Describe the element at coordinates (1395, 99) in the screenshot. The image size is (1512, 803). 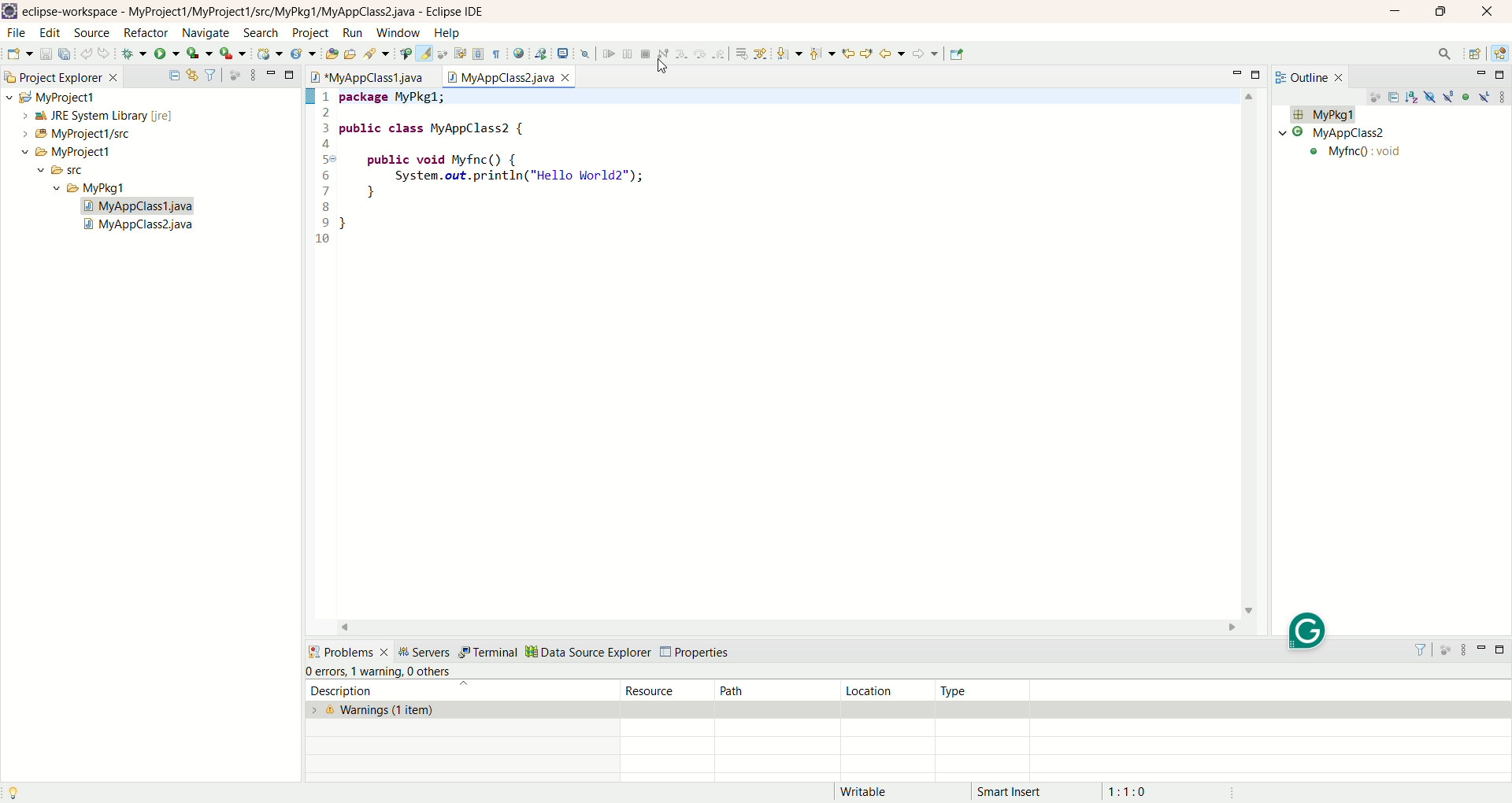
I see `collapse all` at that location.